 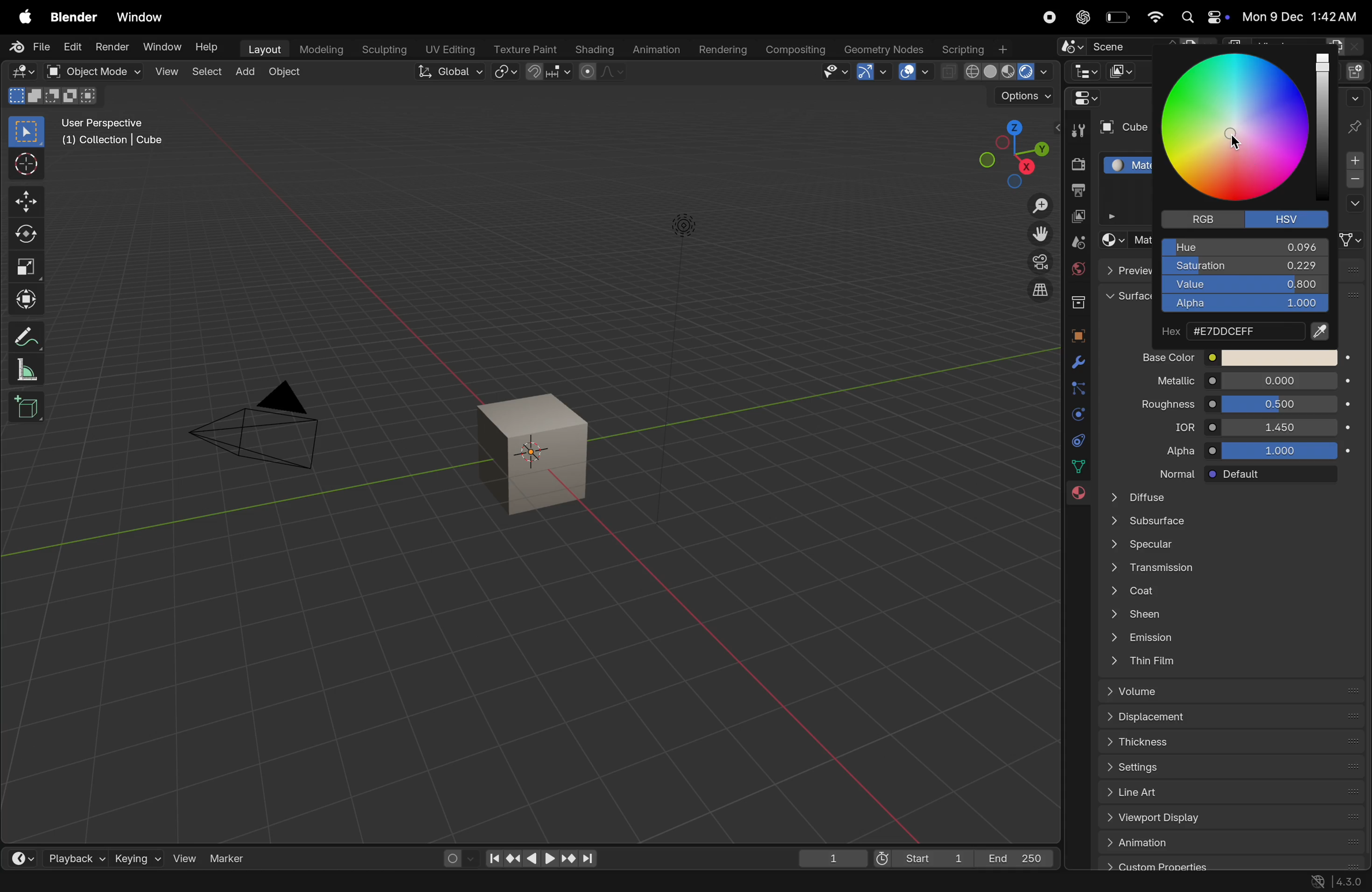 What do you see at coordinates (655, 51) in the screenshot?
I see `animation` at bounding box center [655, 51].